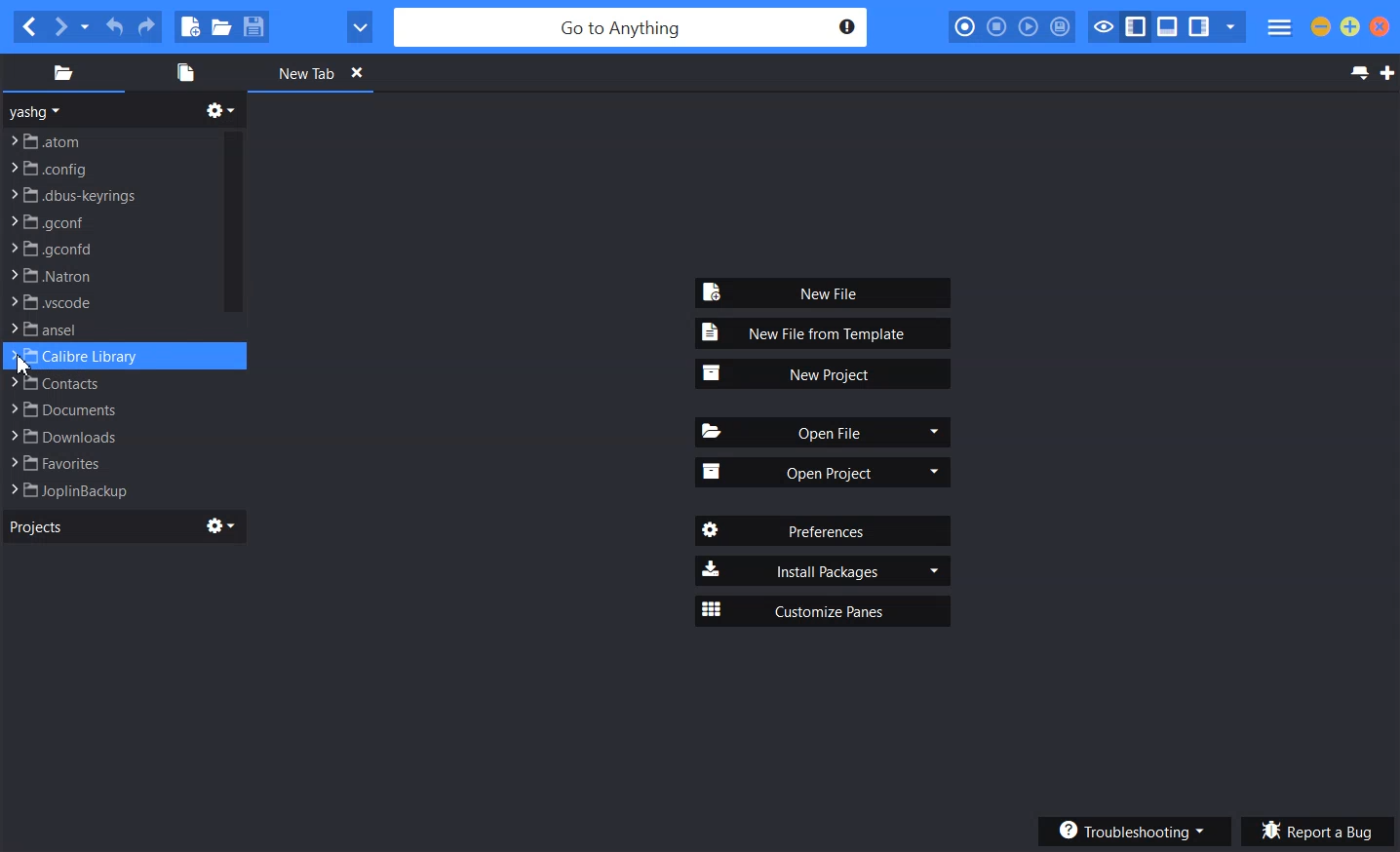 The image size is (1400, 852). I want to click on New Tab, so click(1387, 73).